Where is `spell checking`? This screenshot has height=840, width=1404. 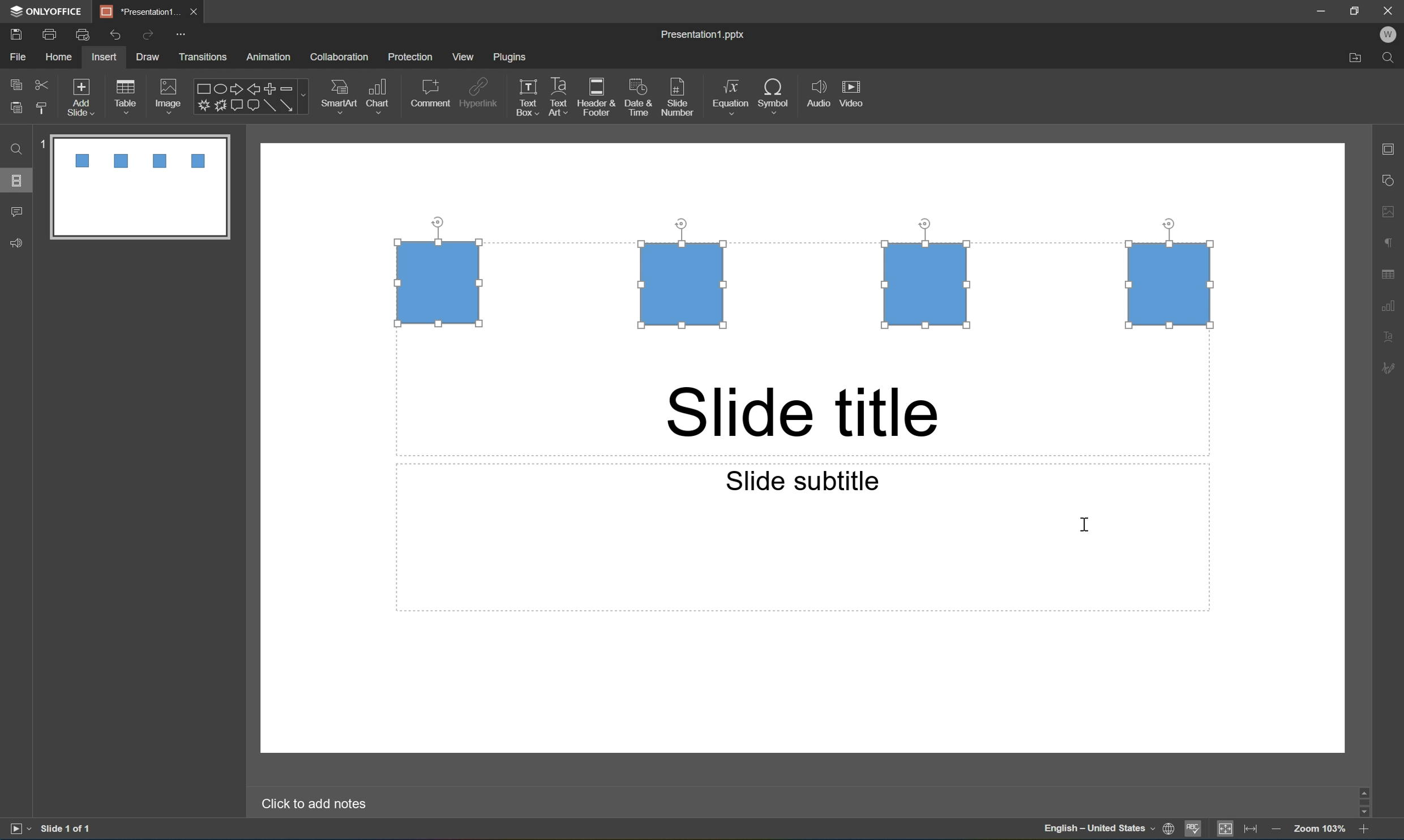
spell checking is located at coordinates (1195, 830).